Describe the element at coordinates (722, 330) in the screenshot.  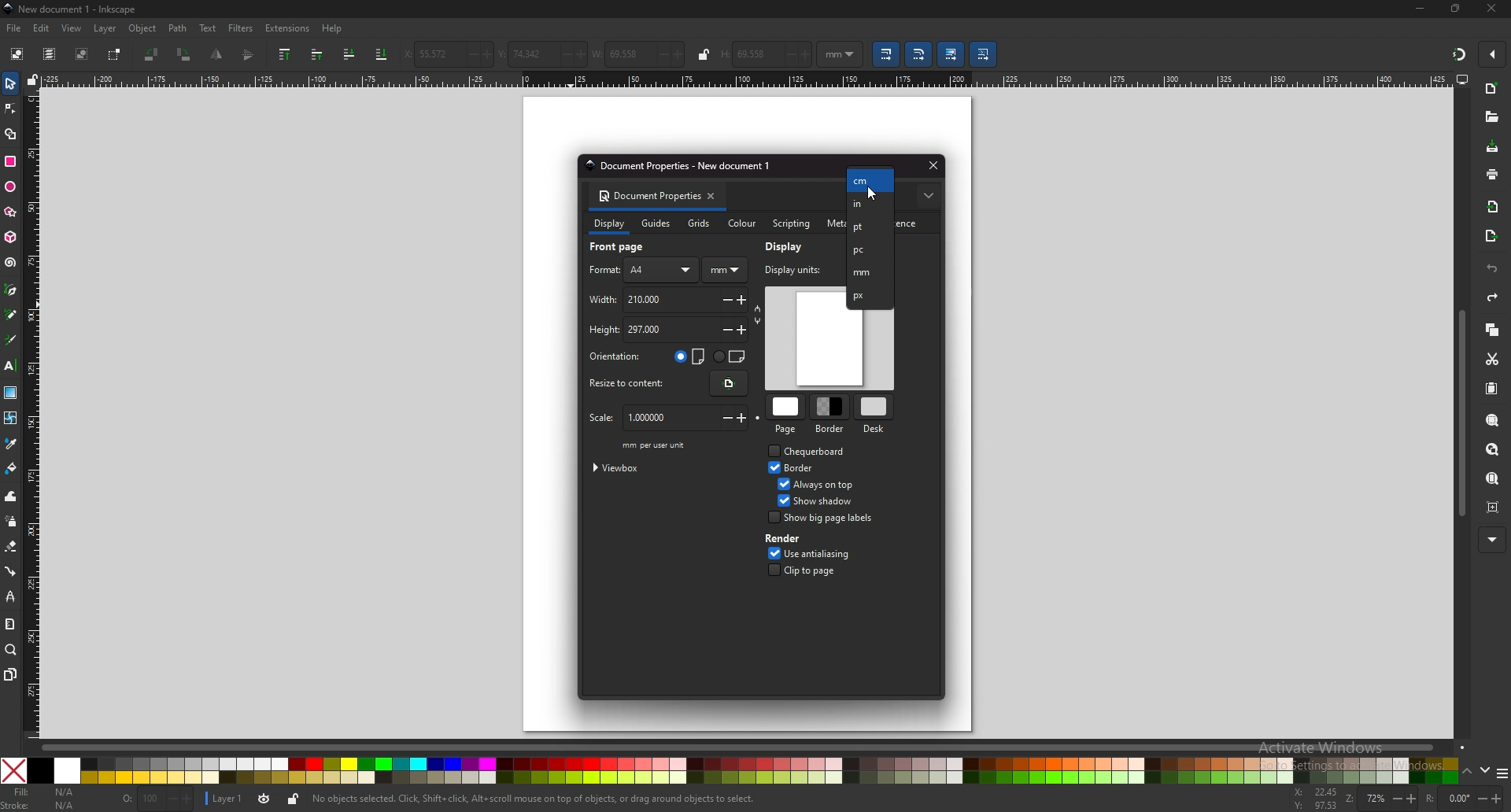
I see `-` at that location.